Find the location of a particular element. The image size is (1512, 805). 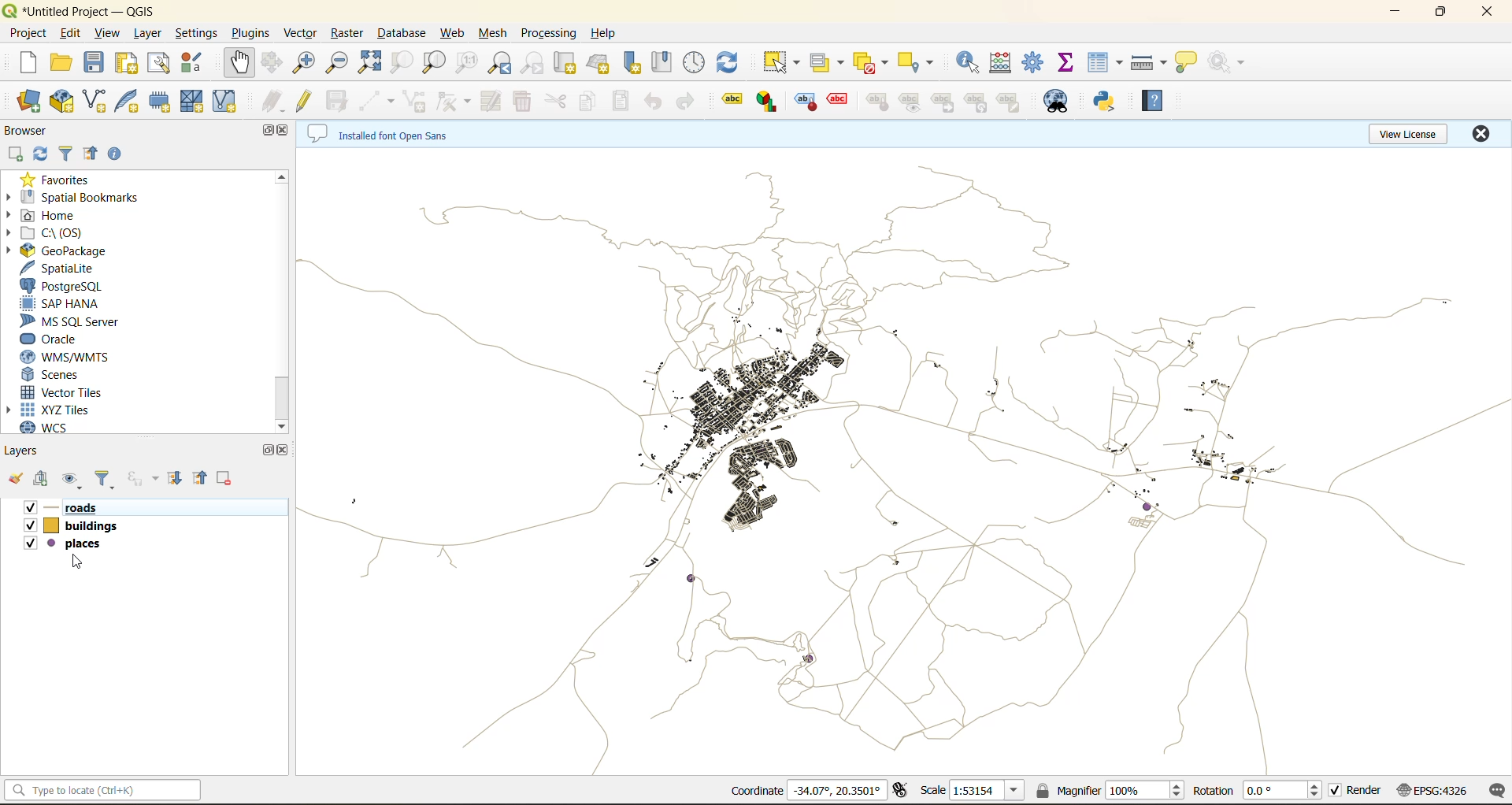

filter is located at coordinates (61, 155).